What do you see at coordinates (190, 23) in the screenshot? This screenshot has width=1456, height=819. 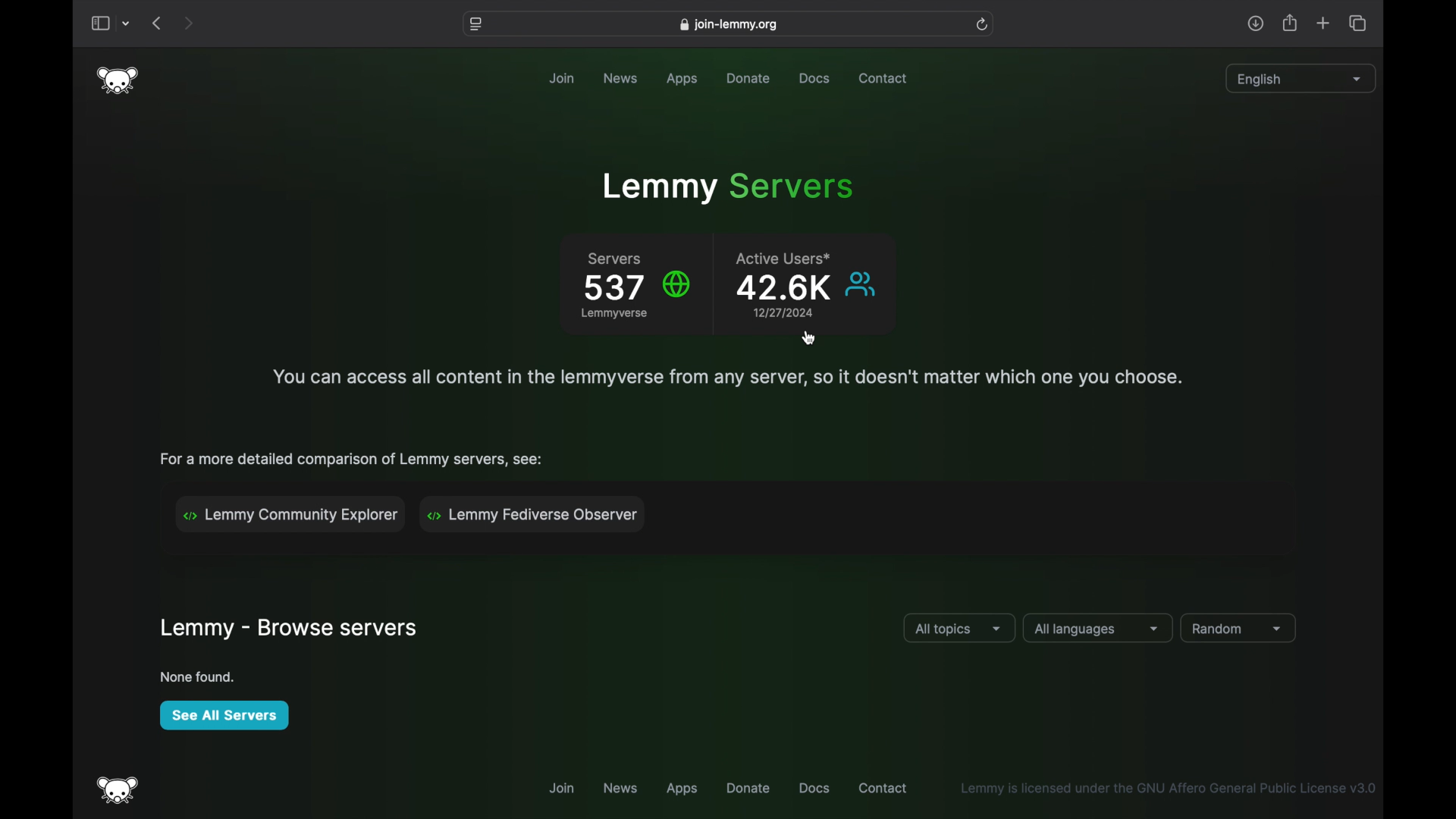 I see `next page` at bounding box center [190, 23].